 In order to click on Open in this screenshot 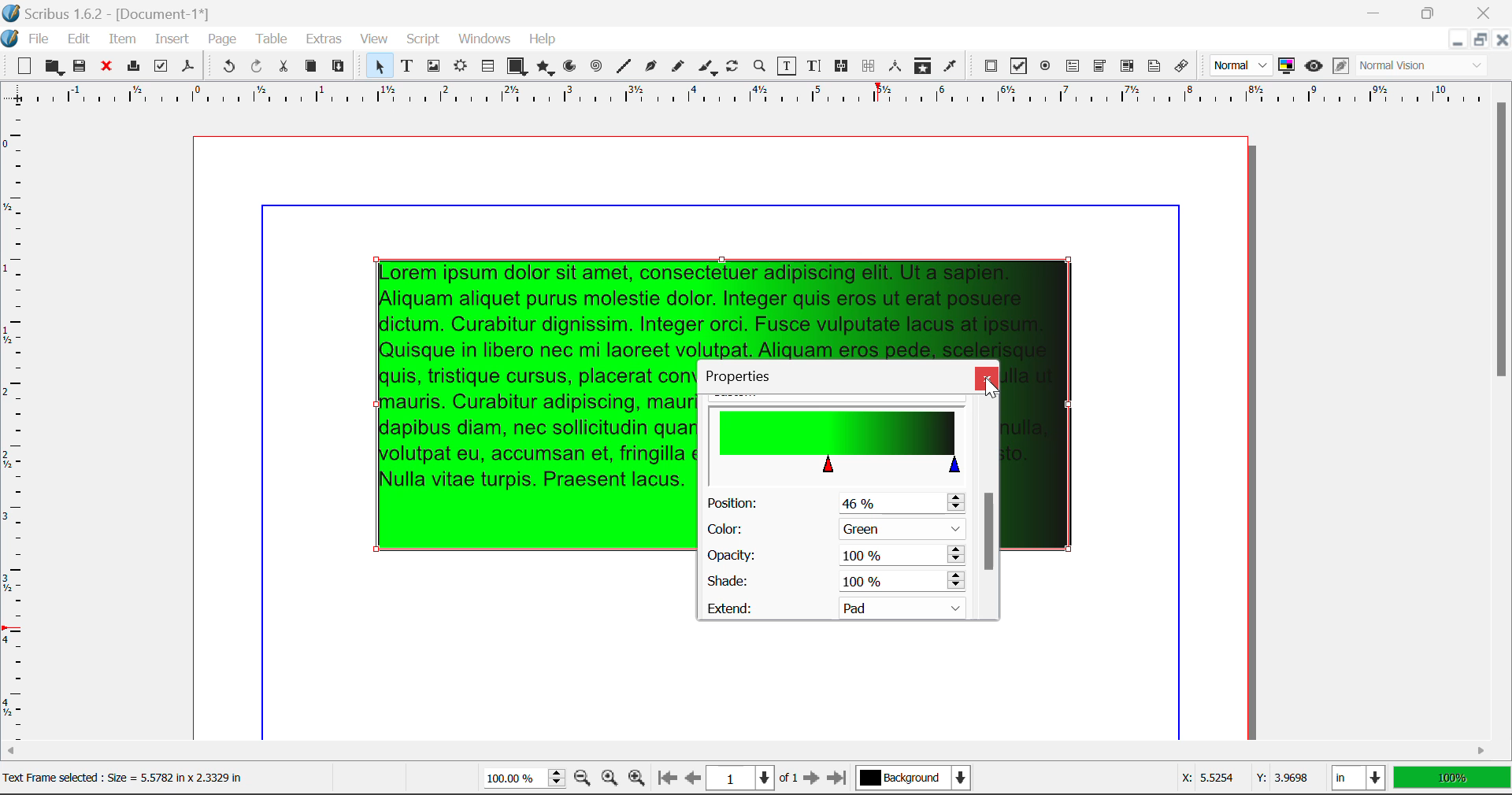, I will do `click(56, 68)`.